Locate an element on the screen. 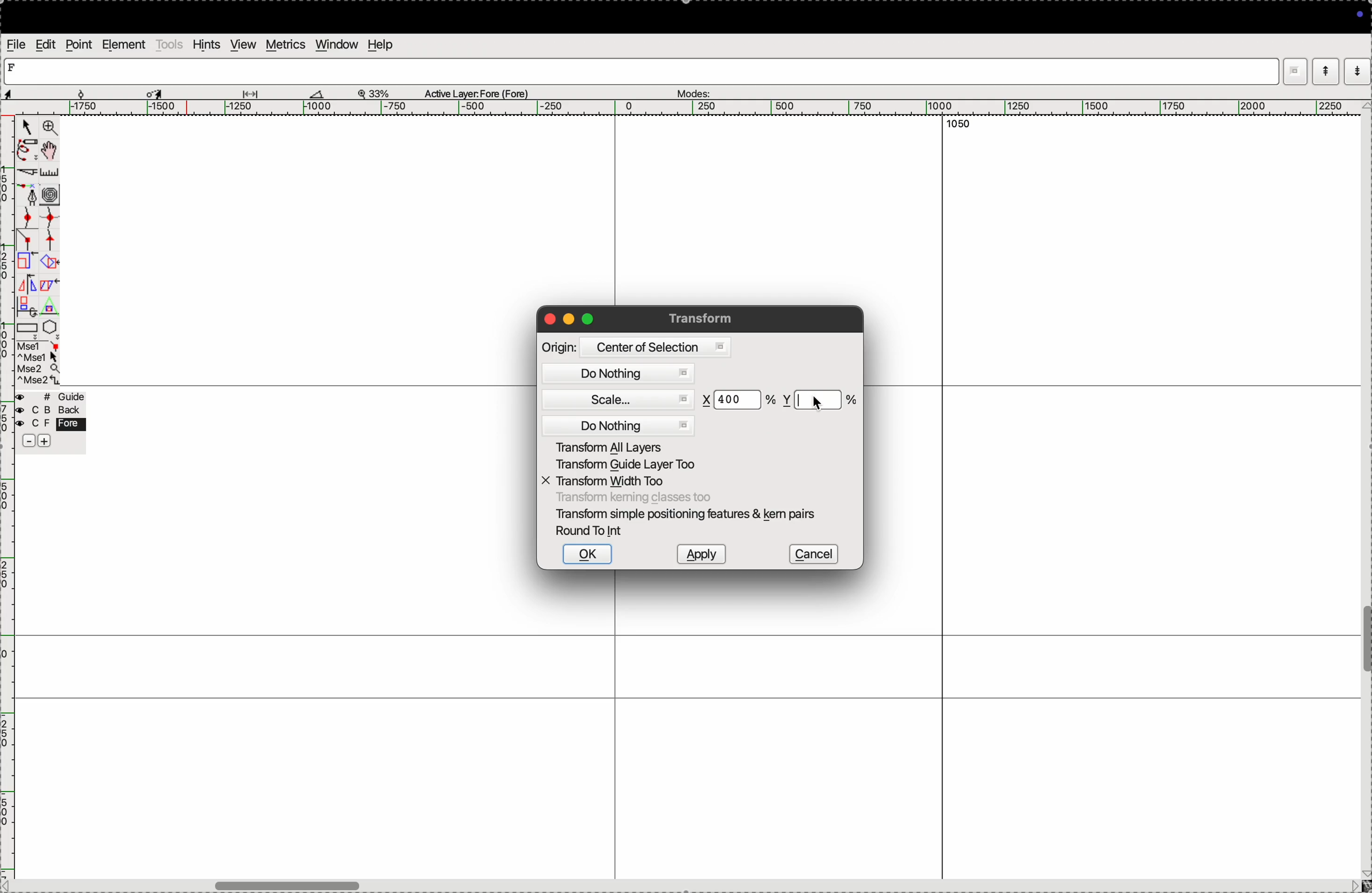 The width and height of the screenshot is (1372, 893). origin is located at coordinates (559, 347).